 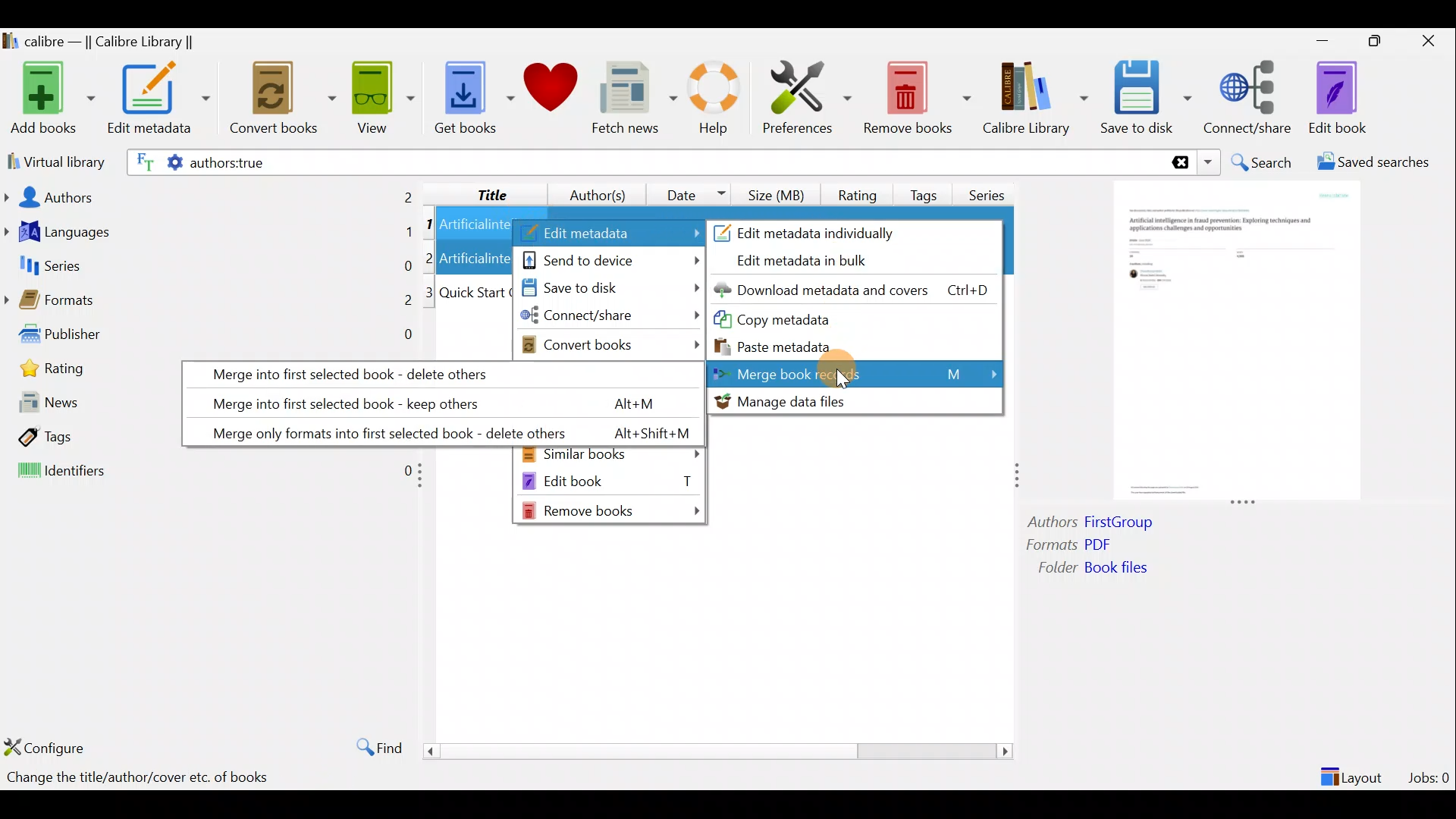 I want to click on Publisher, so click(x=211, y=337).